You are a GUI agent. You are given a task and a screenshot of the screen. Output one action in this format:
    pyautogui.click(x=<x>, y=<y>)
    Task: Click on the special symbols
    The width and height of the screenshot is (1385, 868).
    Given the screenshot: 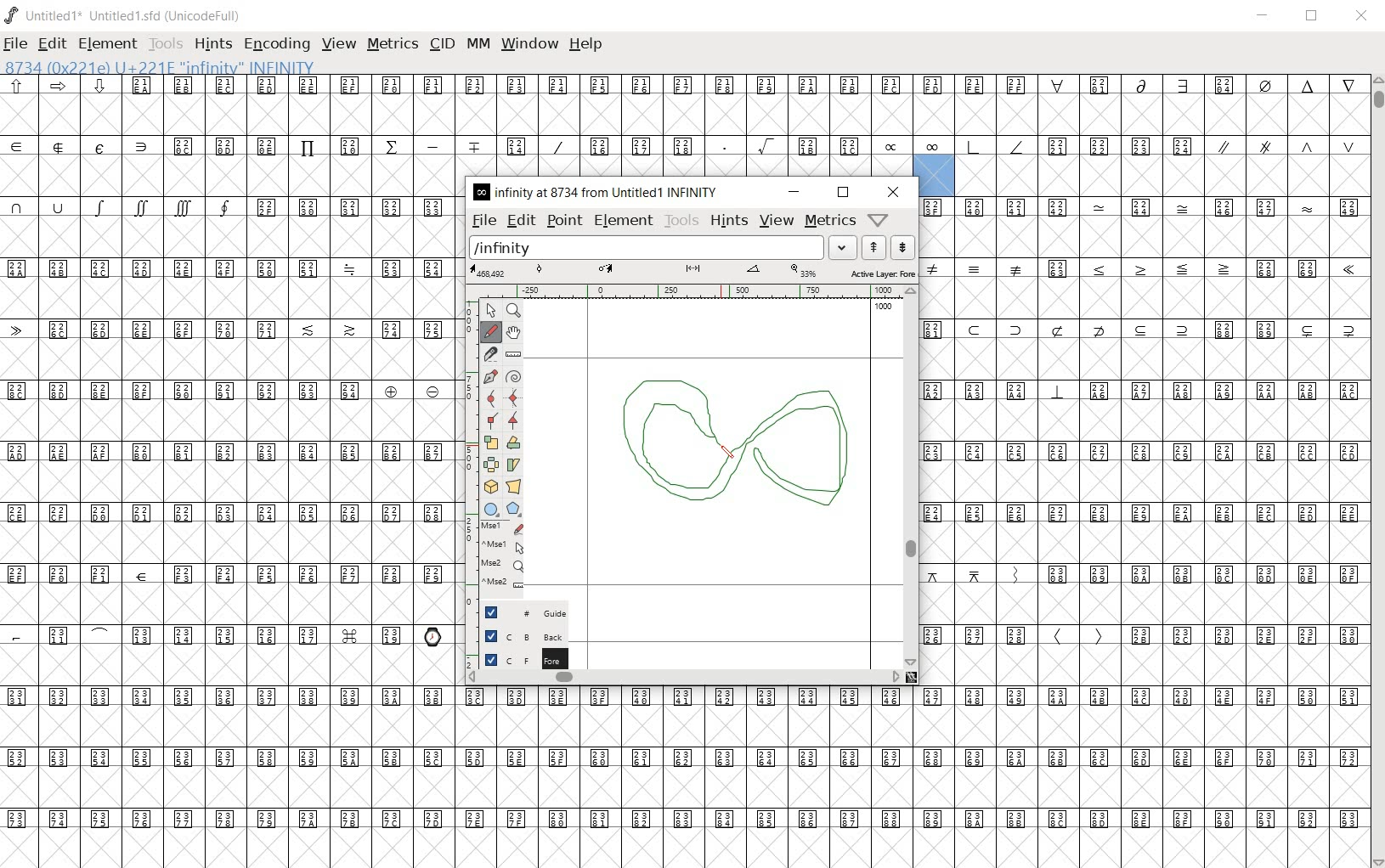 What is the action you would take?
    pyautogui.click(x=82, y=145)
    